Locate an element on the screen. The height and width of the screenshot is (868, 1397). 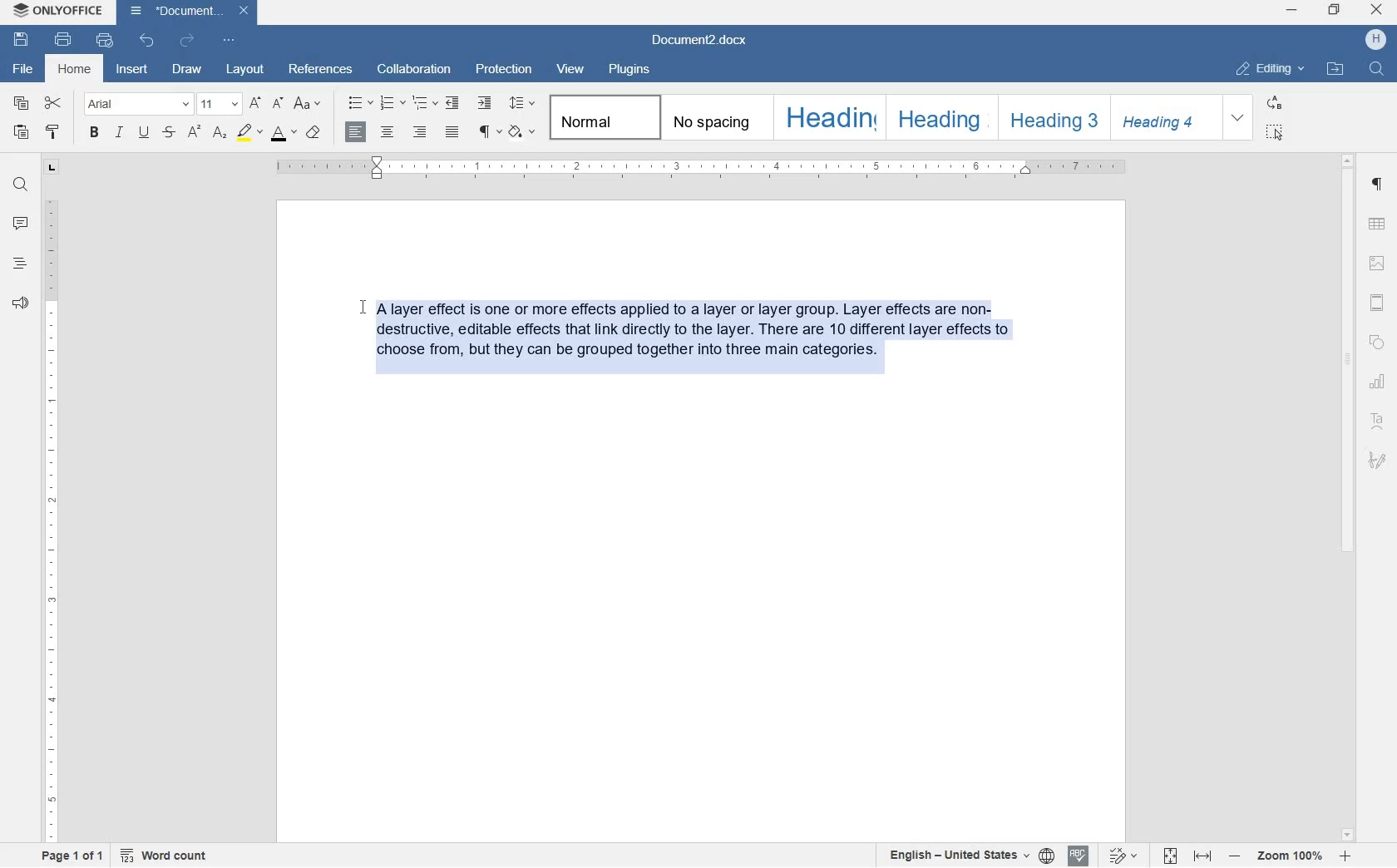
multilevel list is located at coordinates (423, 104).